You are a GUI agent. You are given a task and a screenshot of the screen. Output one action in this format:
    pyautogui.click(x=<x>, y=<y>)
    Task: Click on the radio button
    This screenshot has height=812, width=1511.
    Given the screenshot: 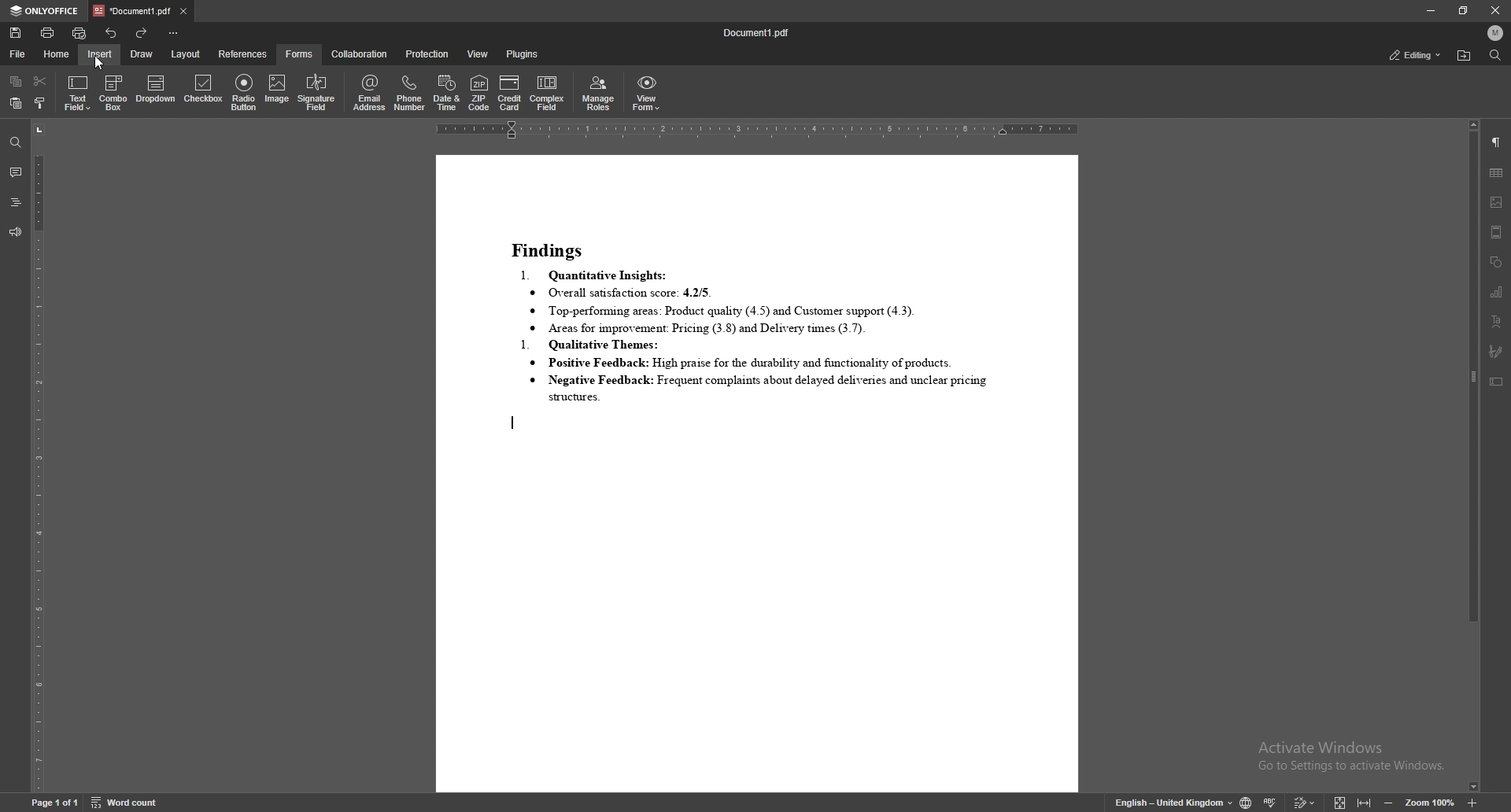 What is the action you would take?
    pyautogui.click(x=244, y=93)
    